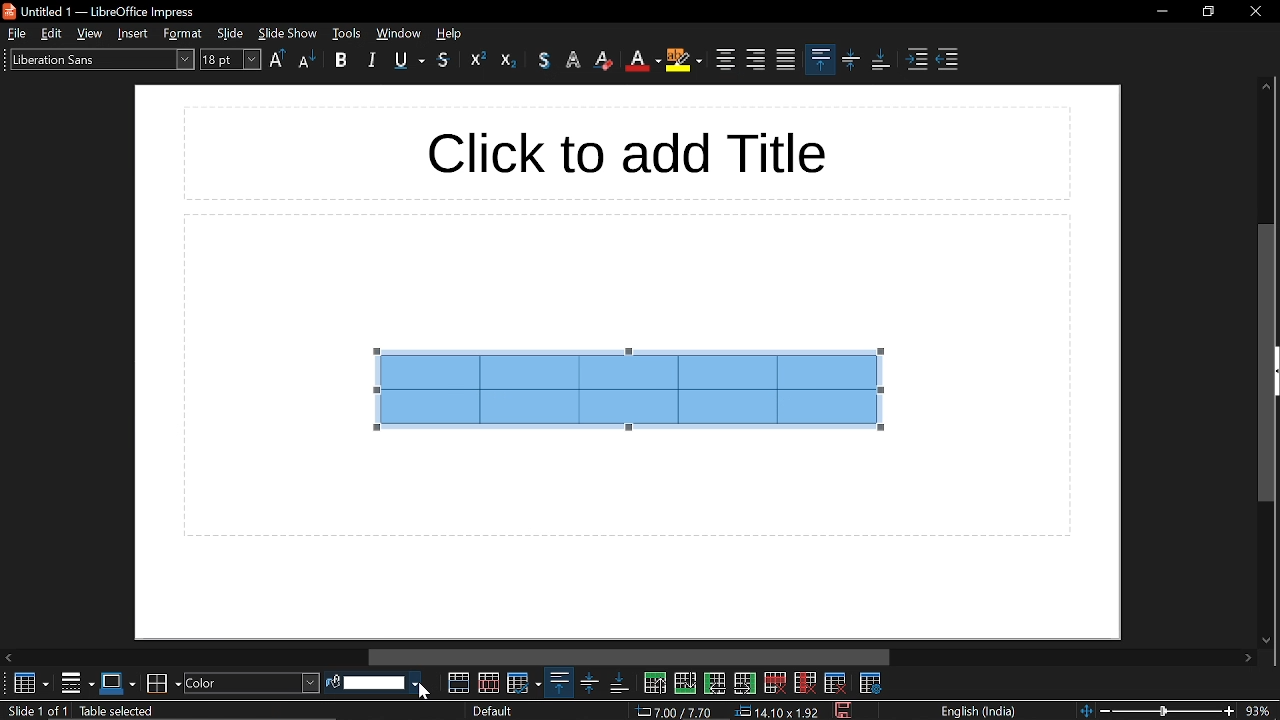 The height and width of the screenshot is (720, 1280). I want to click on zoom out, so click(1107, 710).